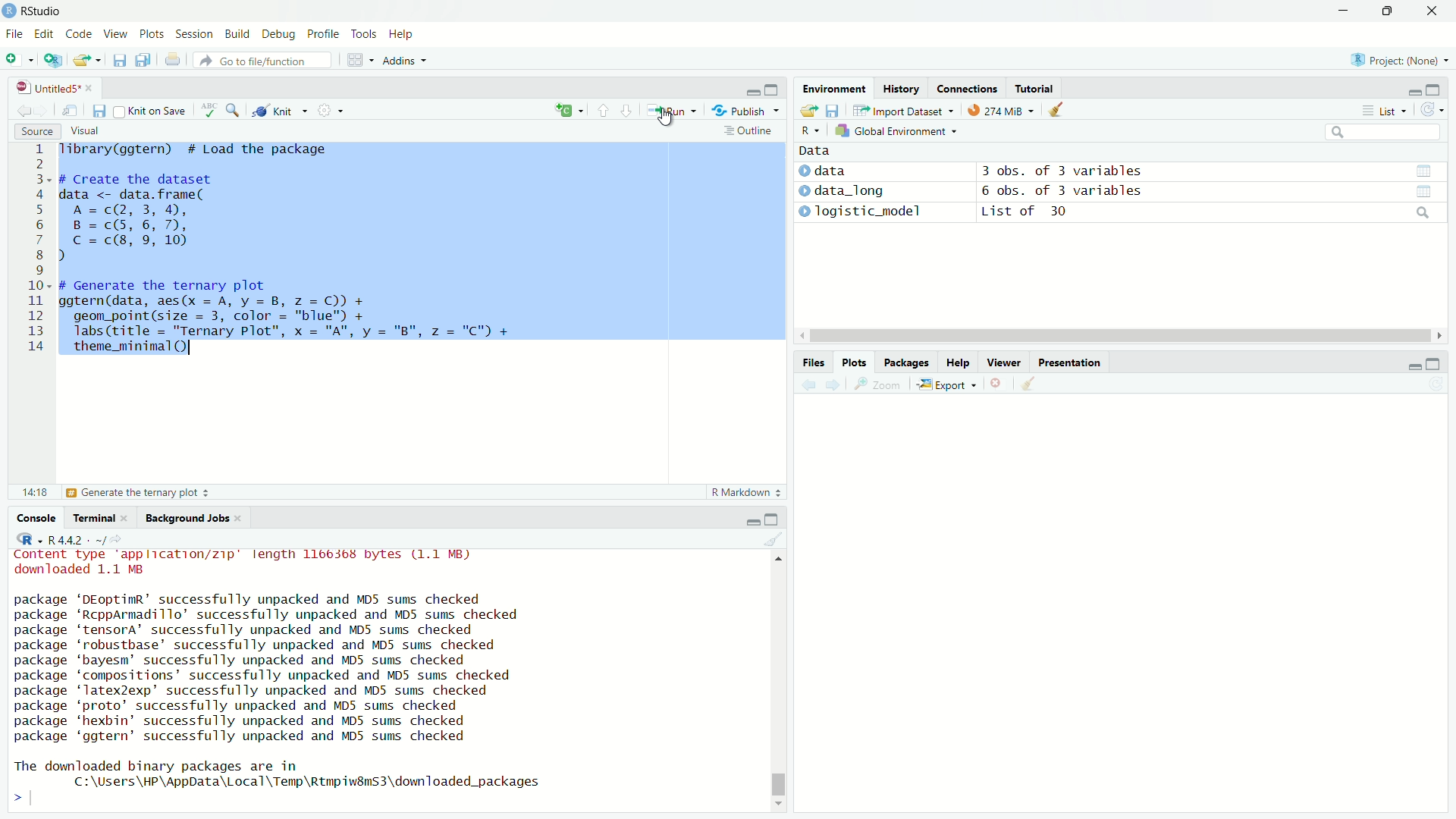 This screenshot has height=819, width=1456. What do you see at coordinates (809, 385) in the screenshot?
I see `back` at bounding box center [809, 385].